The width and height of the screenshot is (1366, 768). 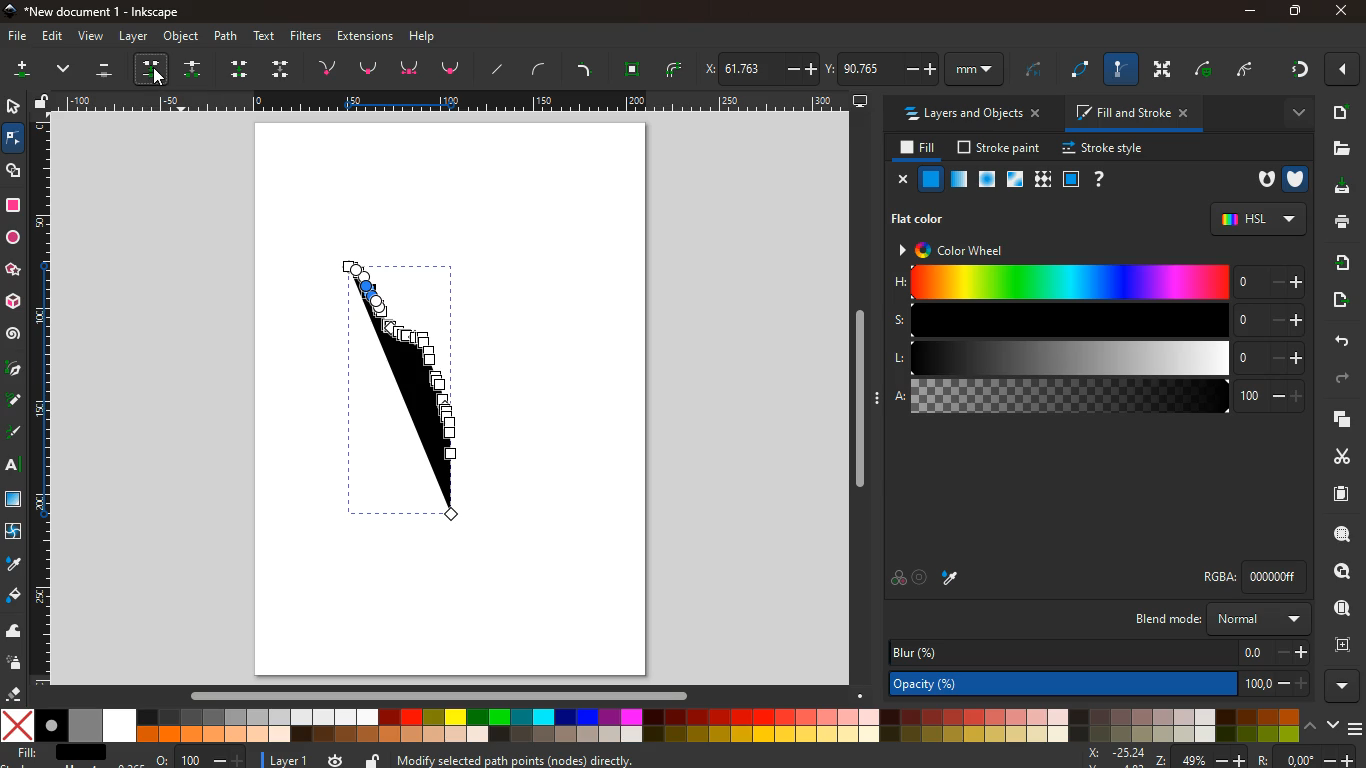 I want to click on shape, so click(x=15, y=170).